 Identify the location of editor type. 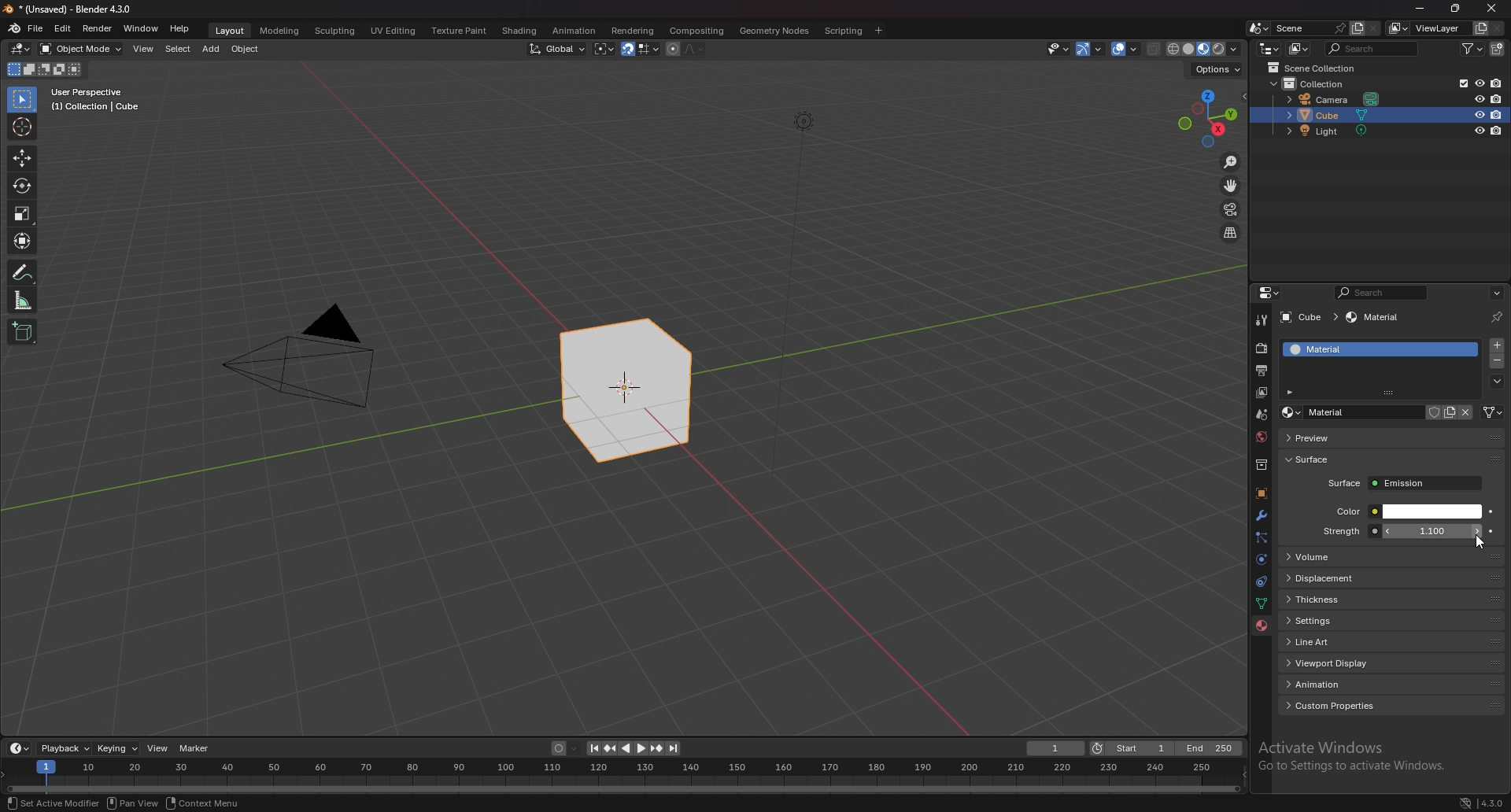
(1269, 293).